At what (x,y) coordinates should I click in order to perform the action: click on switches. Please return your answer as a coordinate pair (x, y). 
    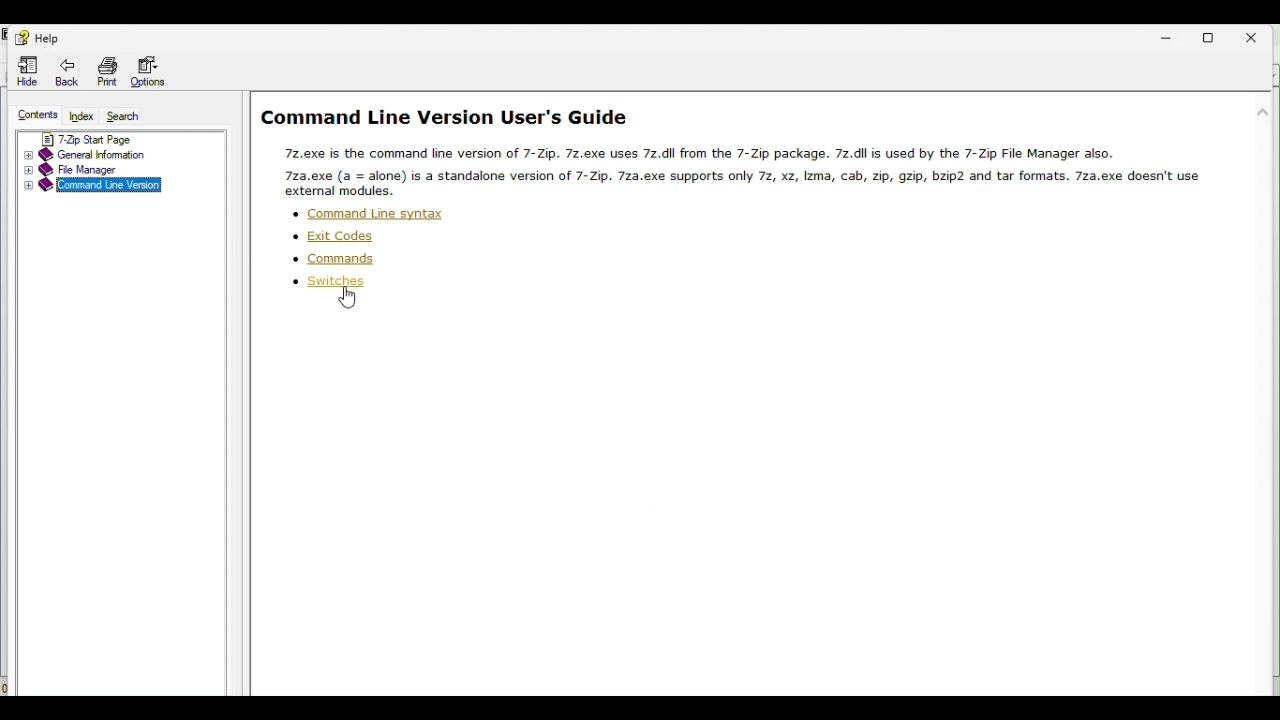
    Looking at the image, I should click on (329, 283).